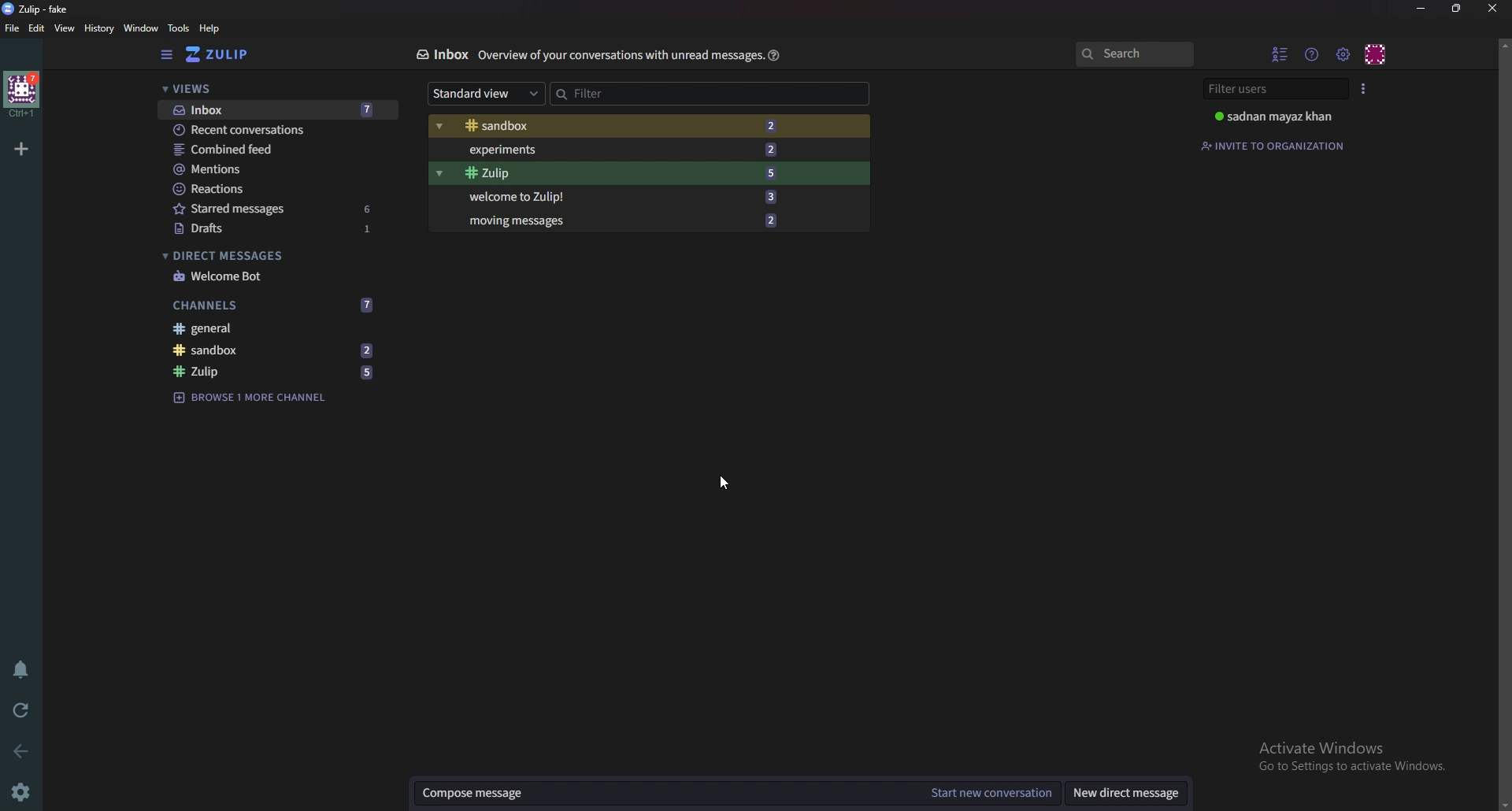 This screenshot has width=1512, height=811. Describe the element at coordinates (13, 29) in the screenshot. I see `File` at that location.